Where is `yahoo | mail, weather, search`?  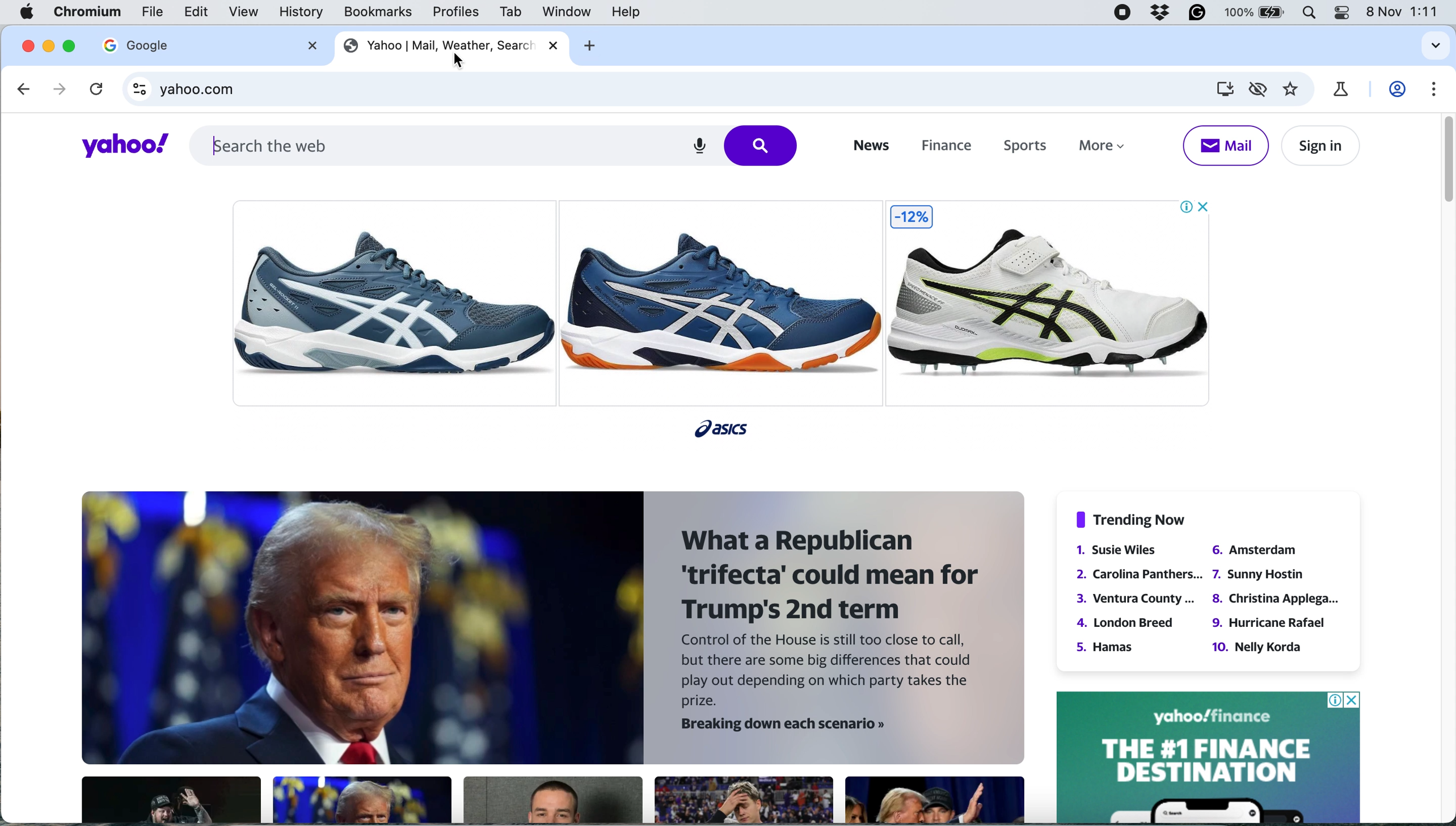 yahoo | mail, weather, search is located at coordinates (436, 44).